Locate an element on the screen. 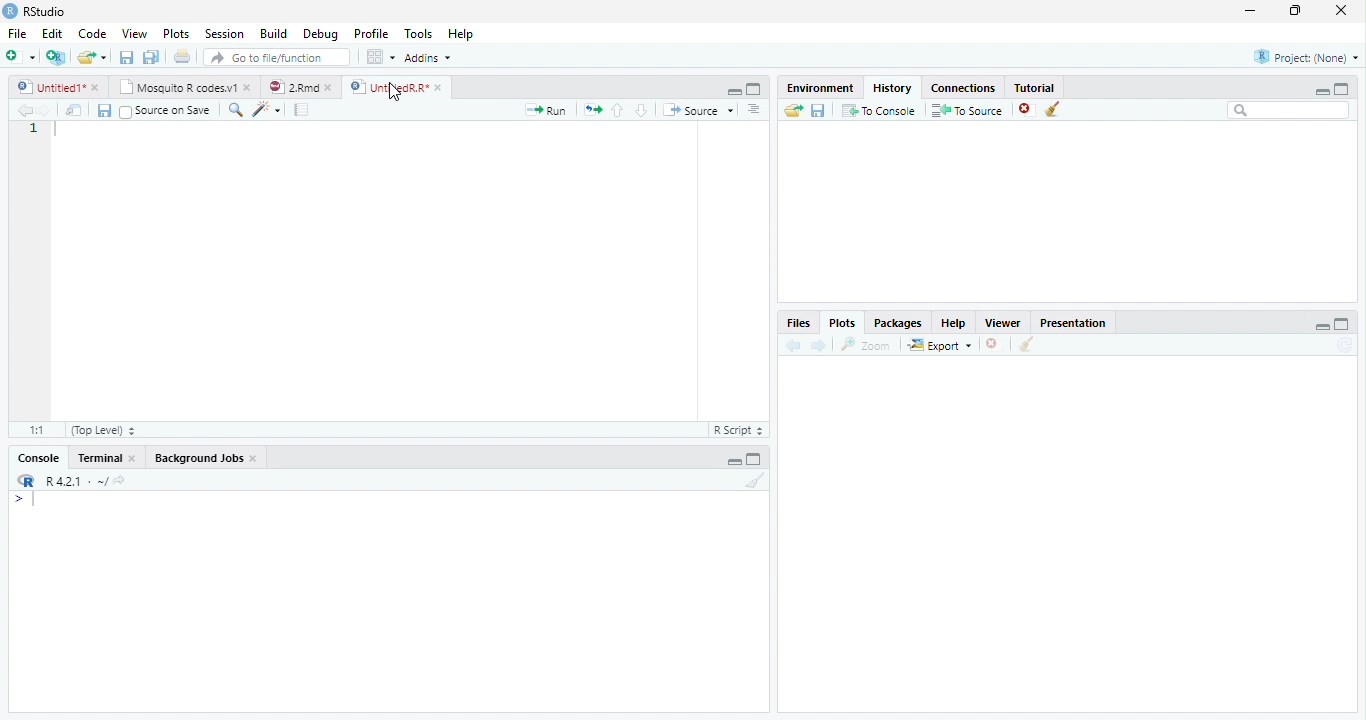 This screenshot has height=720, width=1366. Help is located at coordinates (460, 33).